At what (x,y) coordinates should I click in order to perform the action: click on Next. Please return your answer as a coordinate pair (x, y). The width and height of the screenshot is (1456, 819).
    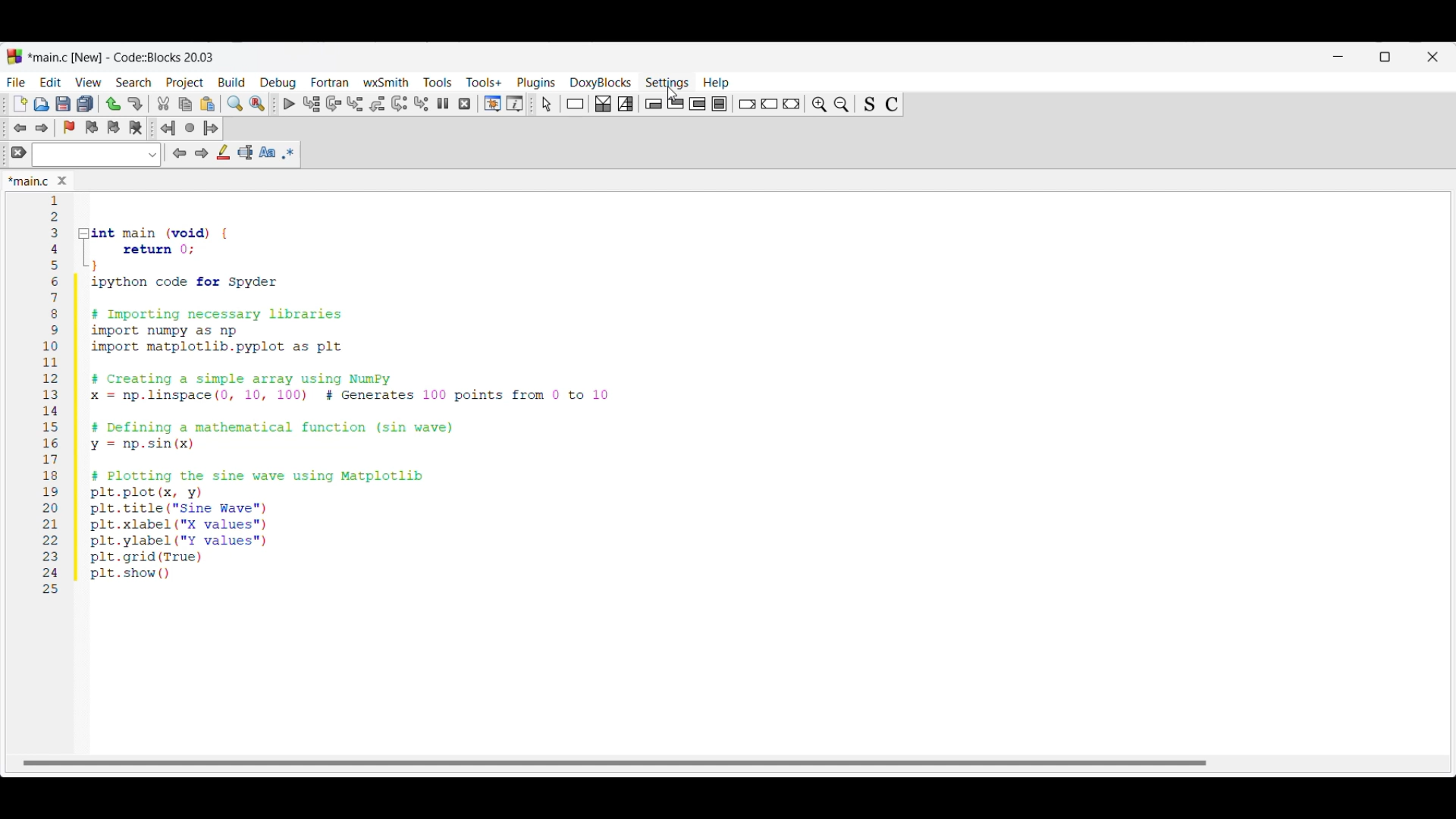
    Looking at the image, I should click on (201, 152).